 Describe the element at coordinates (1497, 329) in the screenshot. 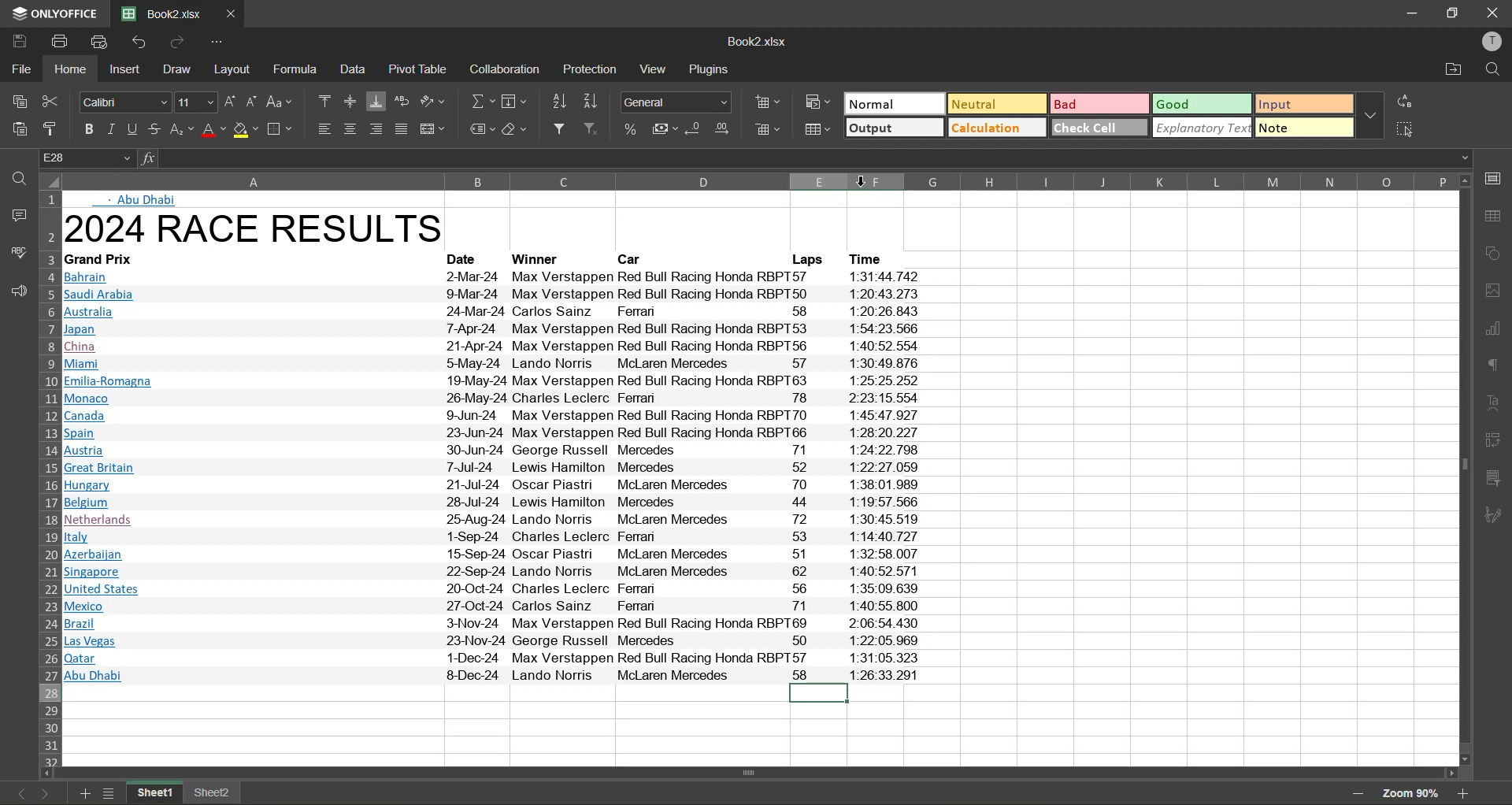

I see `charts` at that location.